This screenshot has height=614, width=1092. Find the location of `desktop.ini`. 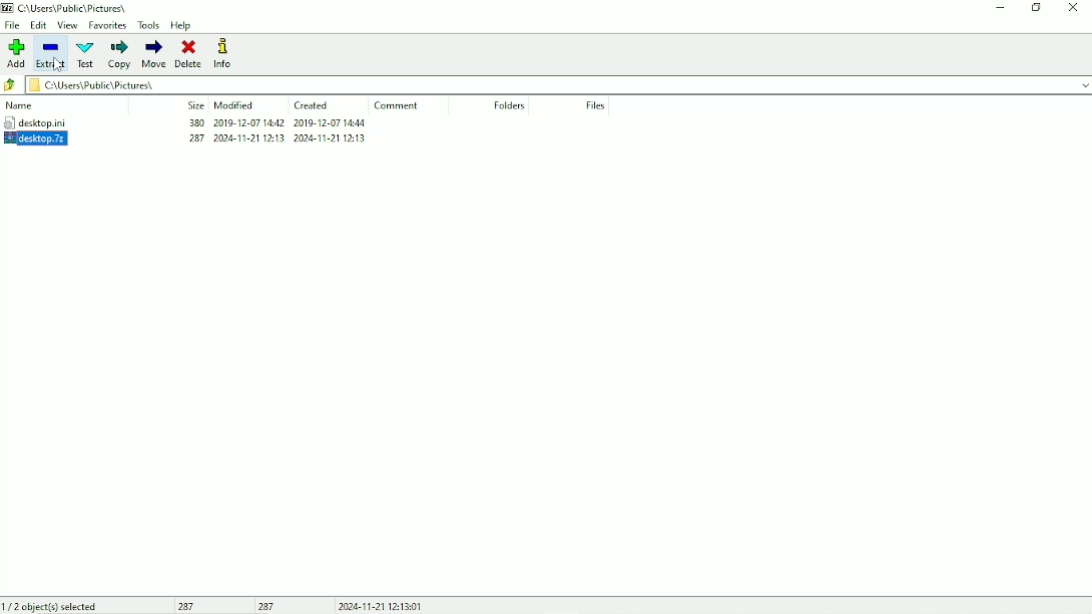

desktop.ini is located at coordinates (50, 122).